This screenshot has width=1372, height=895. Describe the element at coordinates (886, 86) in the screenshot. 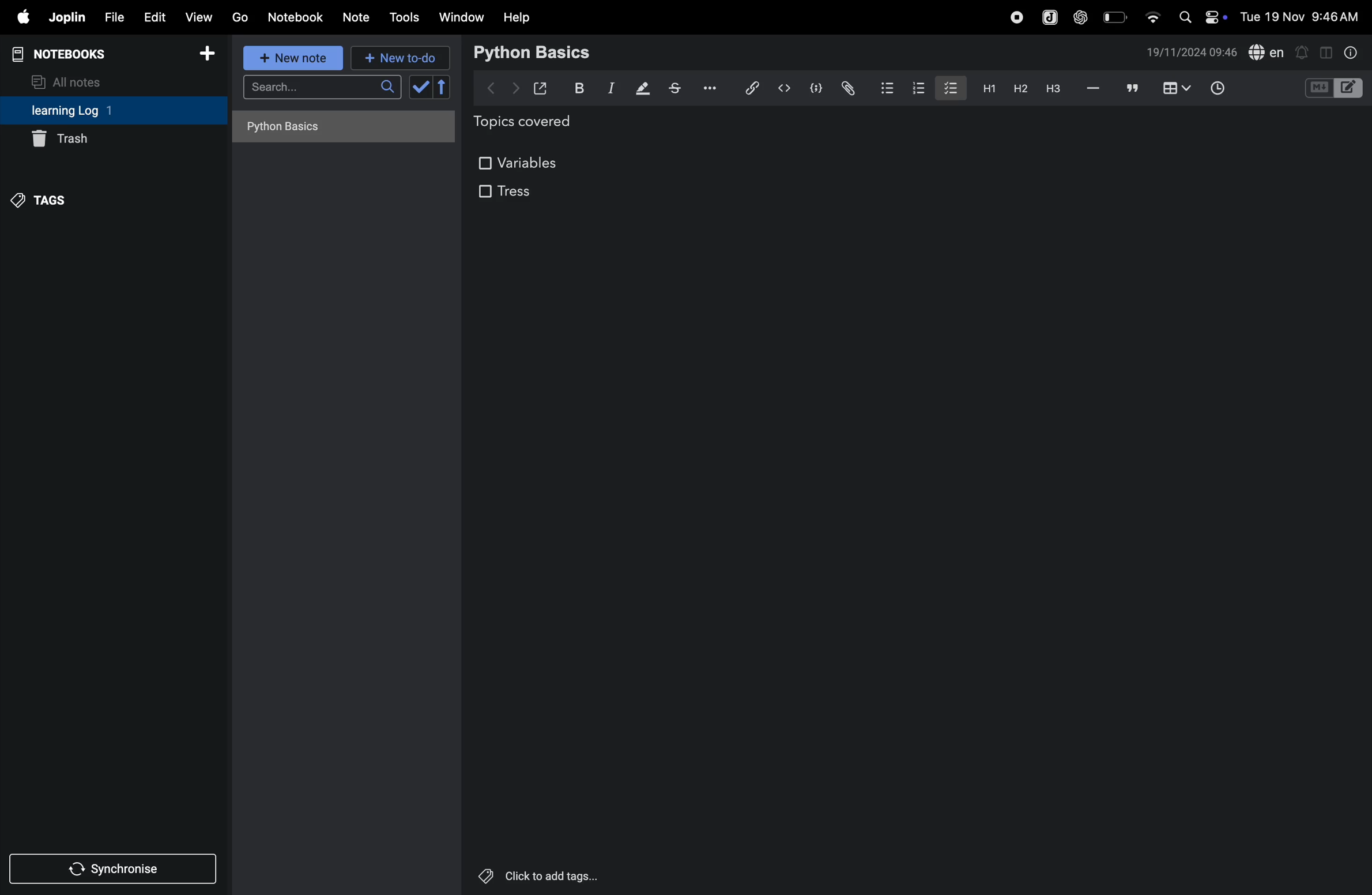

I see `bullet list` at that location.